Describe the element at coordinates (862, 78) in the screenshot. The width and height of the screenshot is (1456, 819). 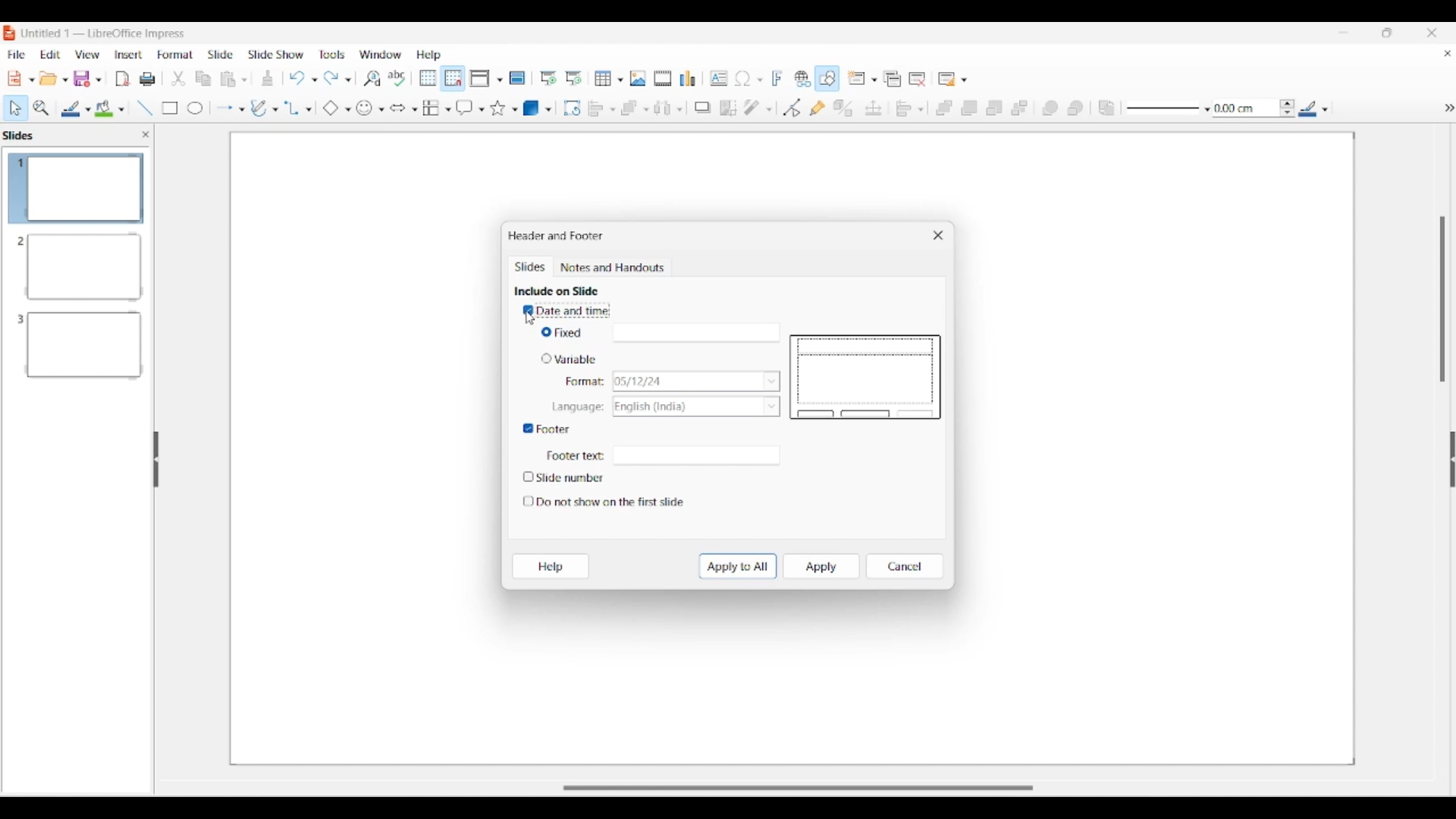
I see `New slide options` at that location.